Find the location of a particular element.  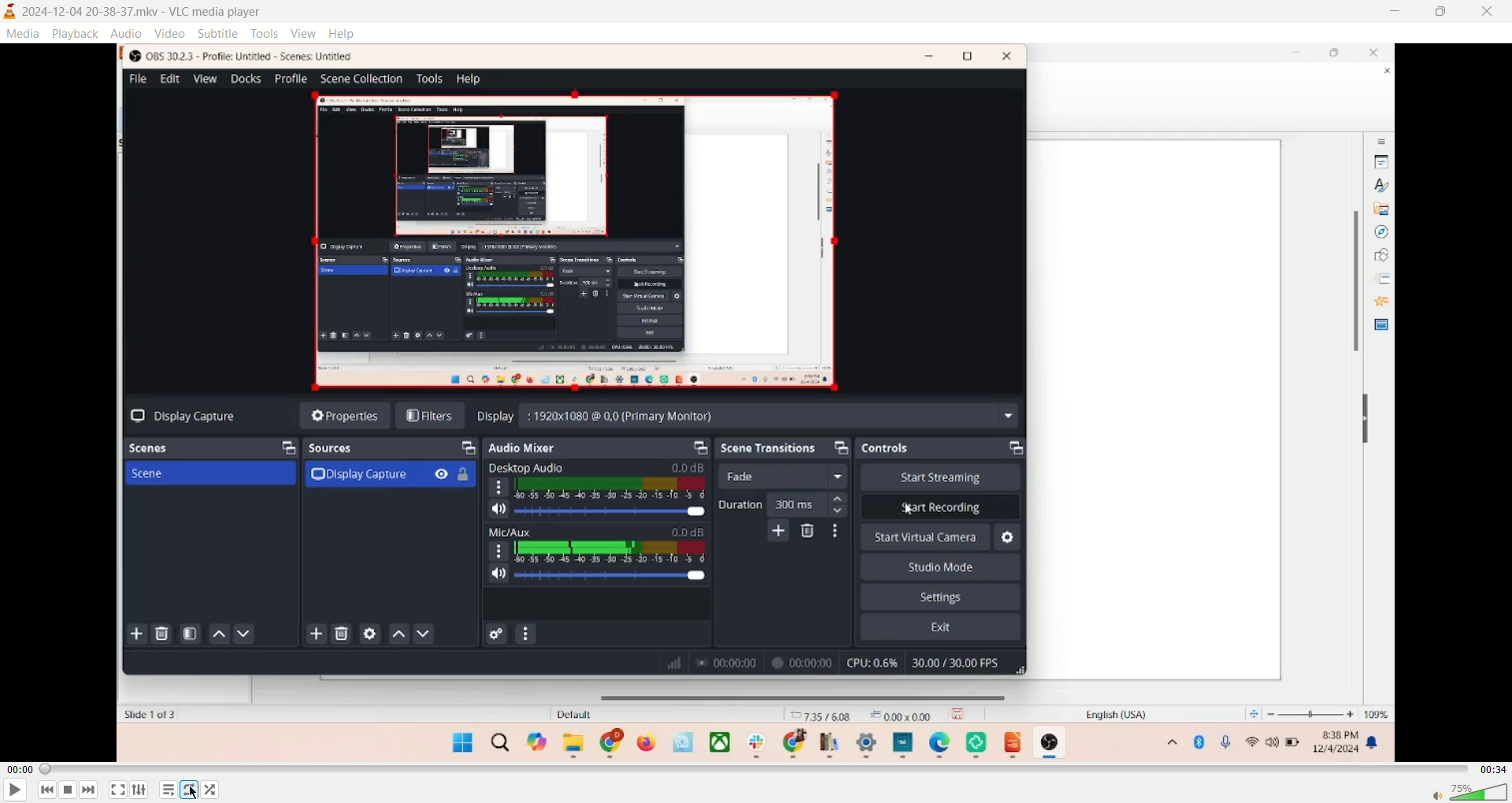

help is located at coordinates (343, 34).